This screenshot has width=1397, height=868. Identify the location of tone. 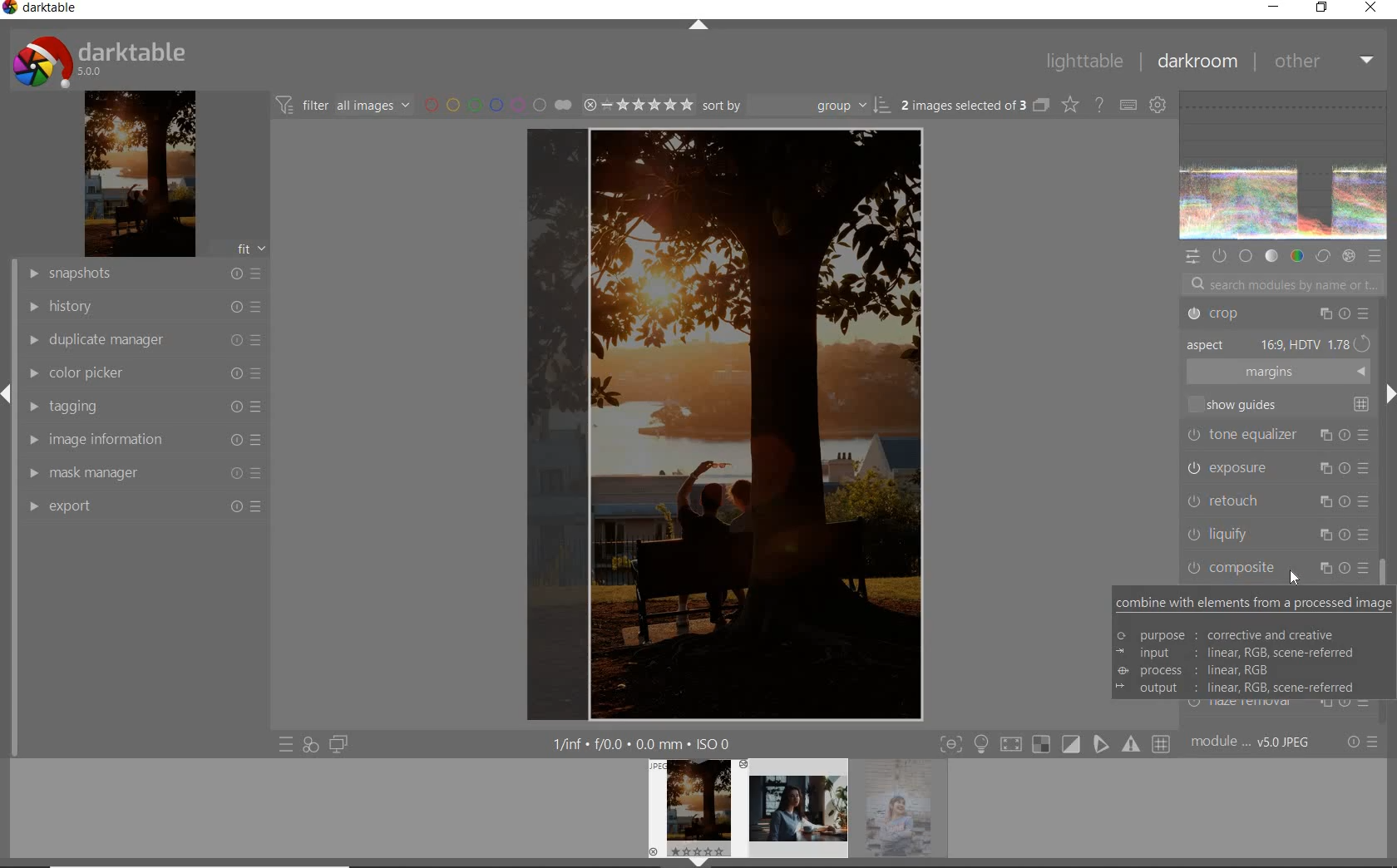
(1272, 256).